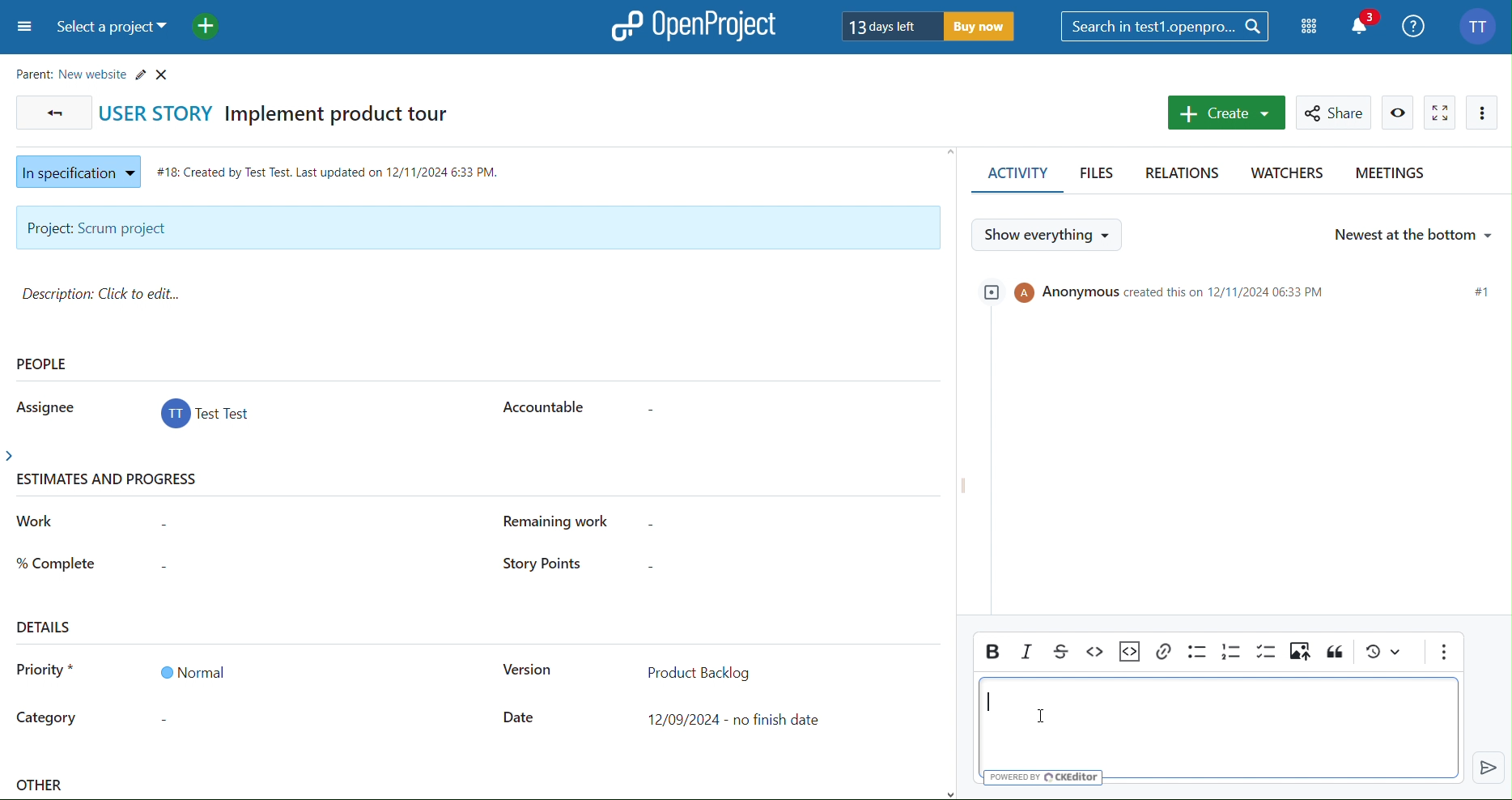  Describe the element at coordinates (1014, 177) in the screenshot. I see `Activity` at that location.